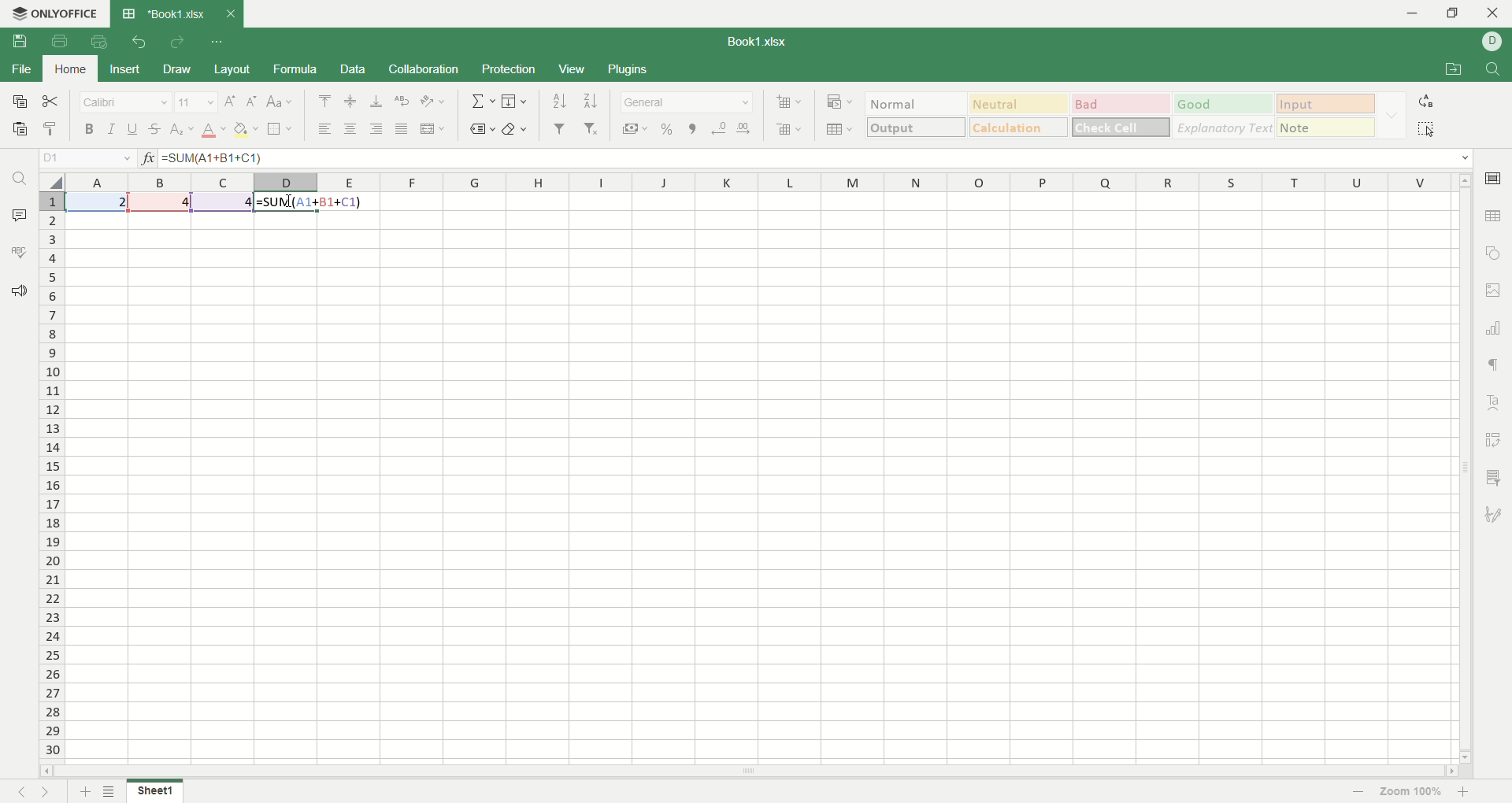 The image size is (1512, 803). Describe the element at coordinates (351, 130) in the screenshot. I see `align center` at that location.